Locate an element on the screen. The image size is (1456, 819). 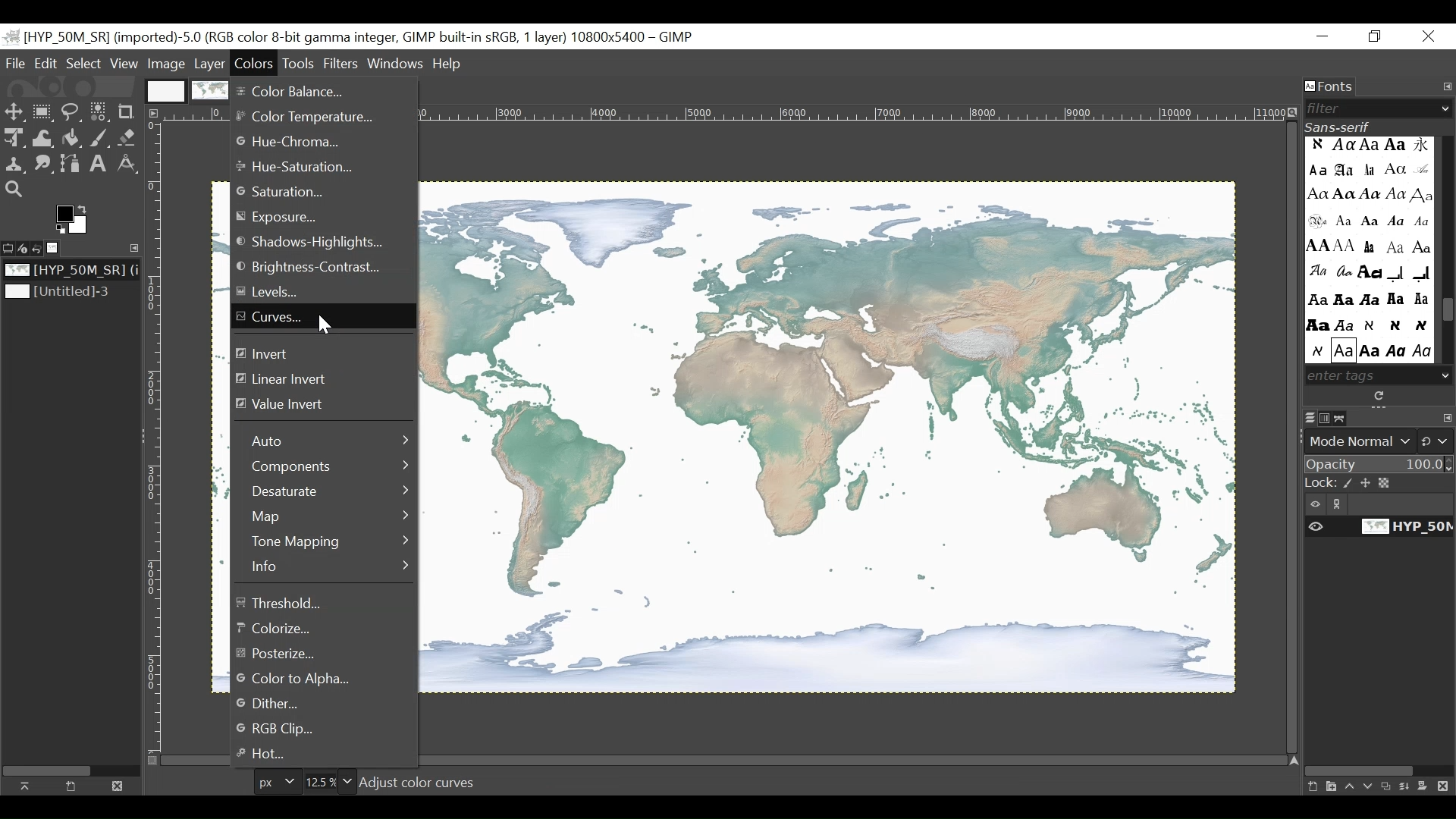
Saturation is located at coordinates (313, 193).